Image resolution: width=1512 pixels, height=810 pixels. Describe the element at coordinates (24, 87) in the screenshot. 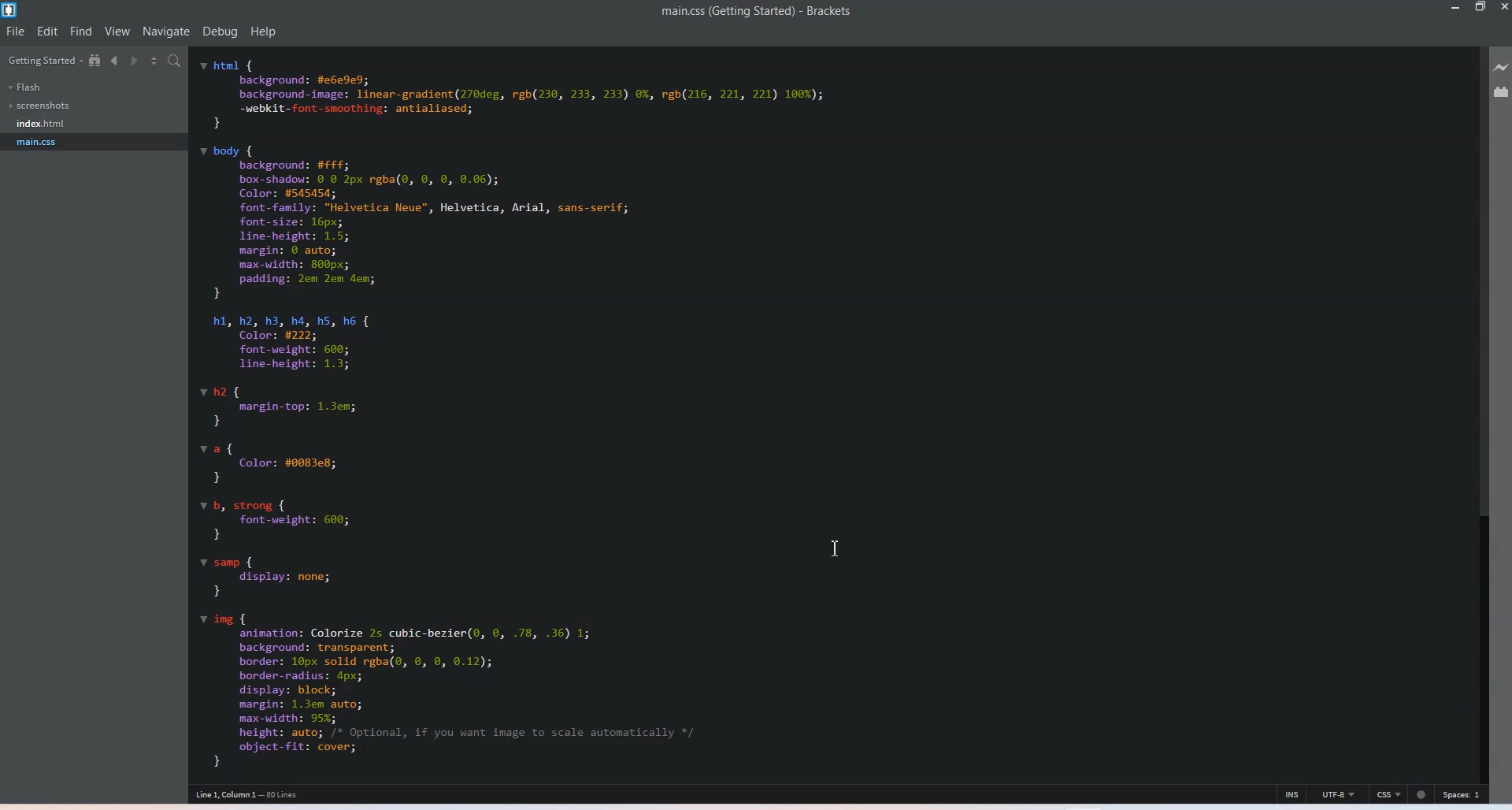

I see `Flash` at that location.